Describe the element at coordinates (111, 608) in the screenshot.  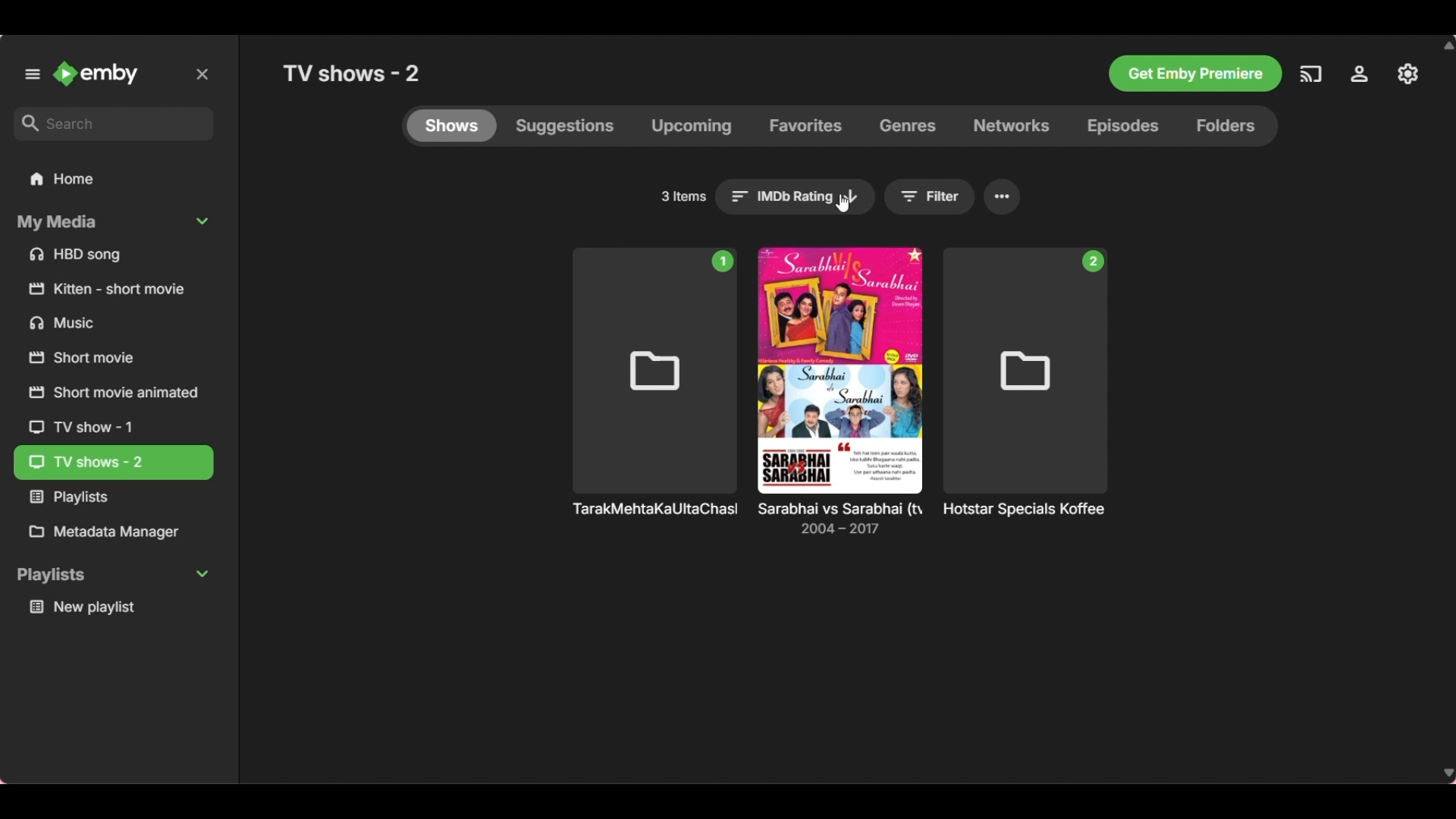
I see `Media under Playlists` at that location.